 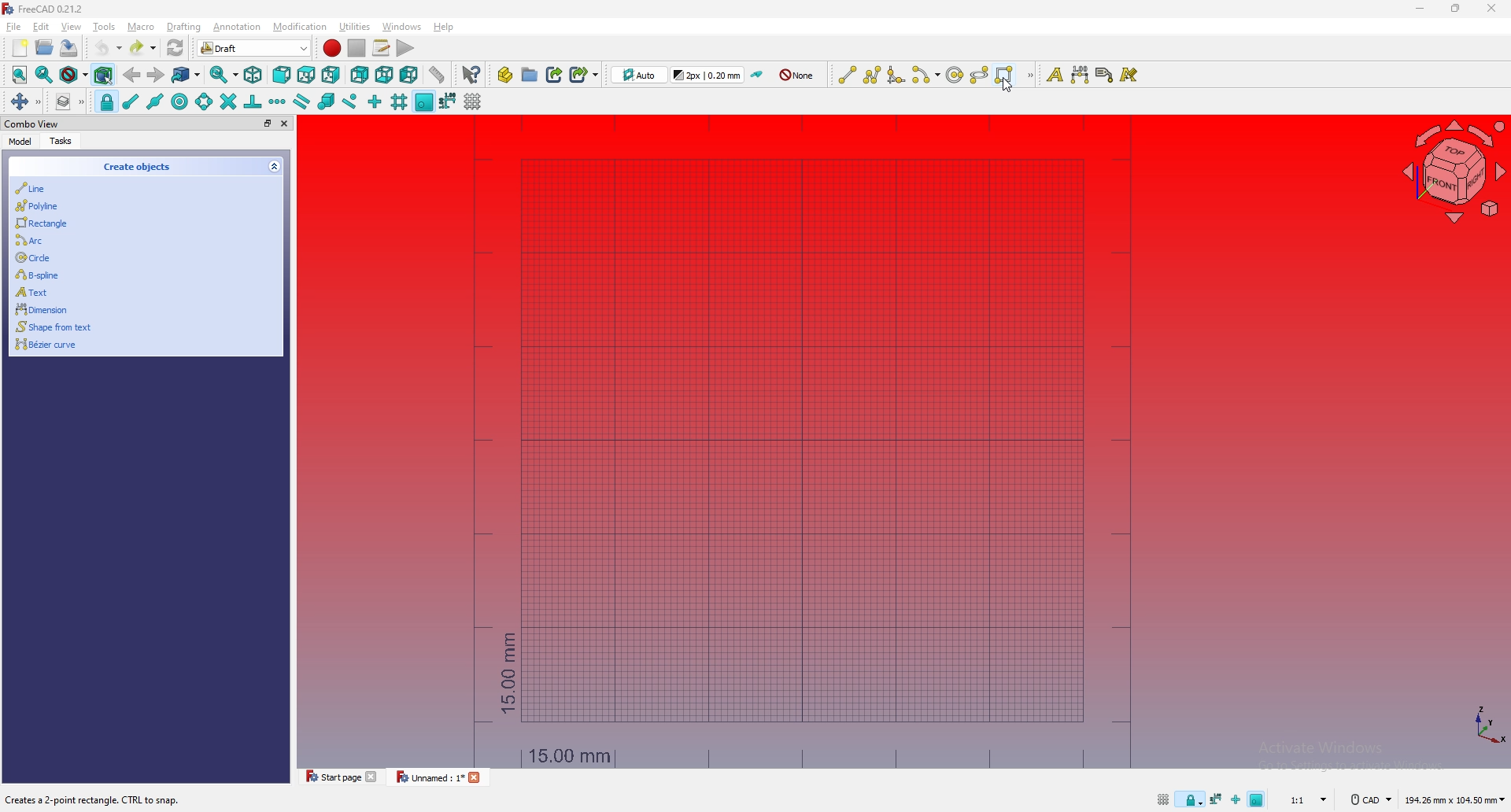 I want to click on dimension, so click(x=137, y=308).